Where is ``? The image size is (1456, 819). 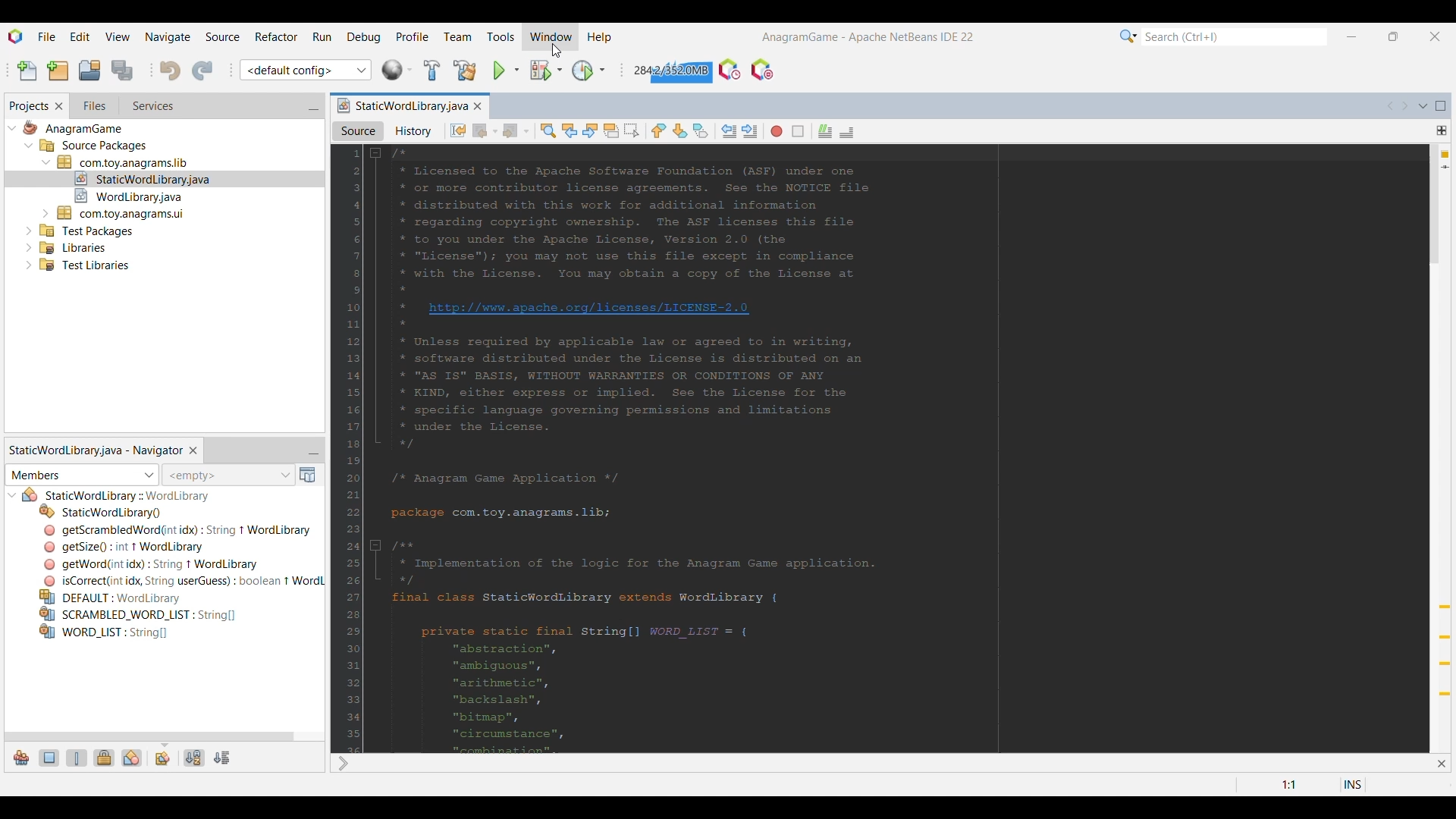  is located at coordinates (601, 686).